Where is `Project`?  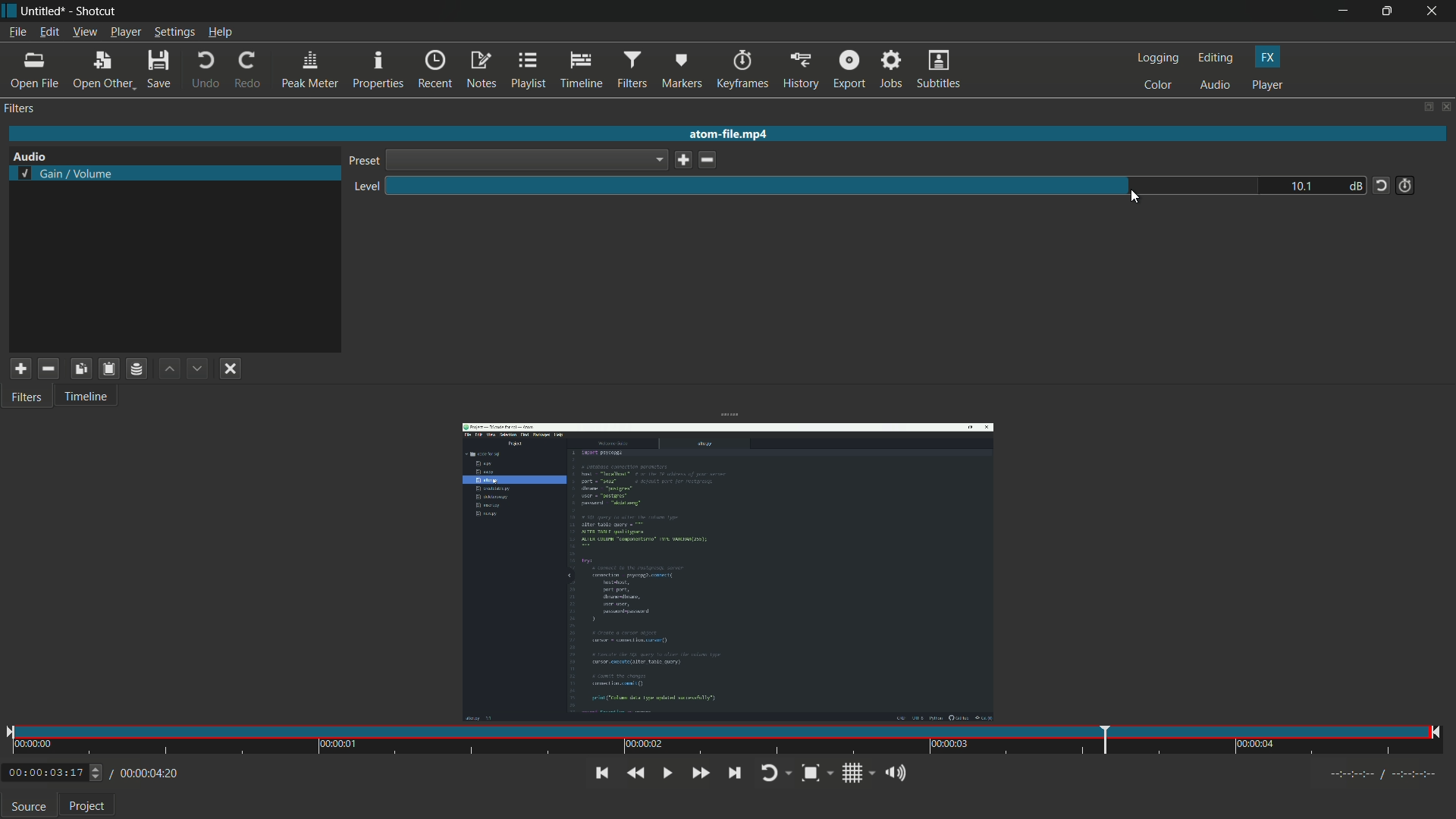 Project is located at coordinates (86, 807).